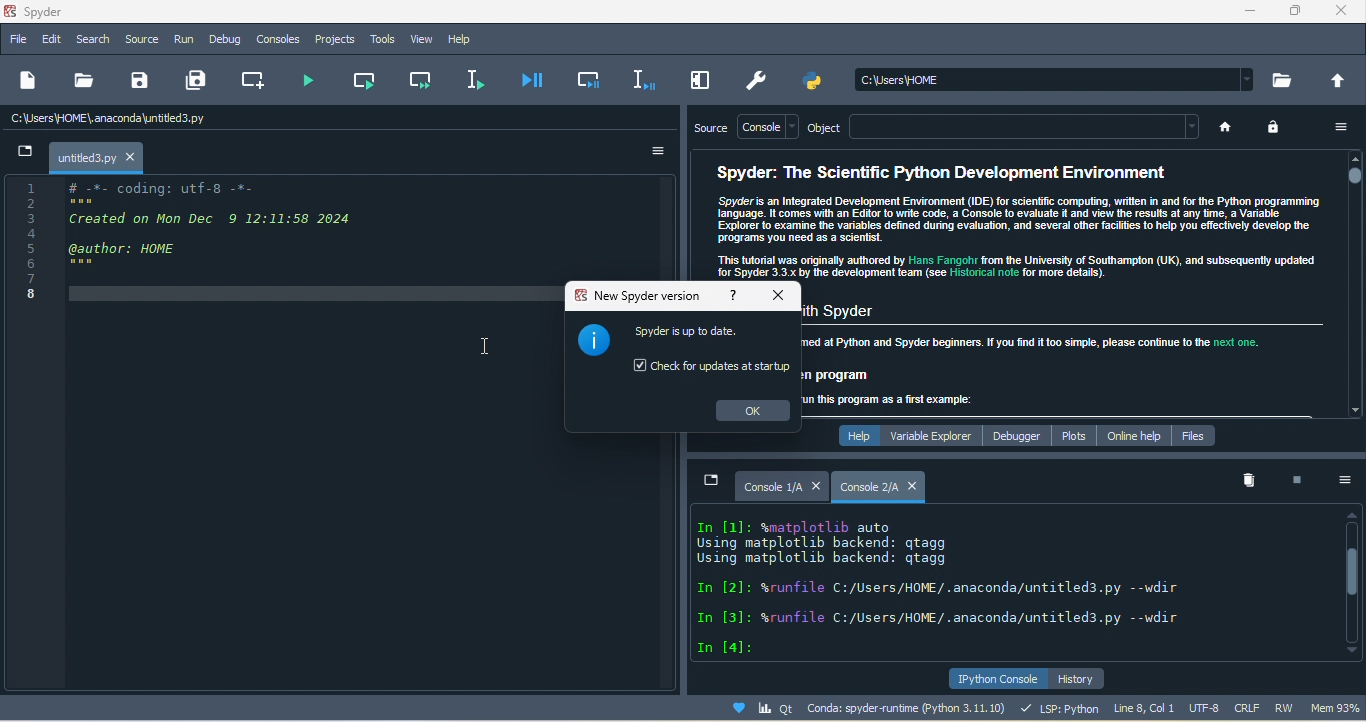 This screenshot has width=1366, height=722. I want to click on search, so click(91, 40).